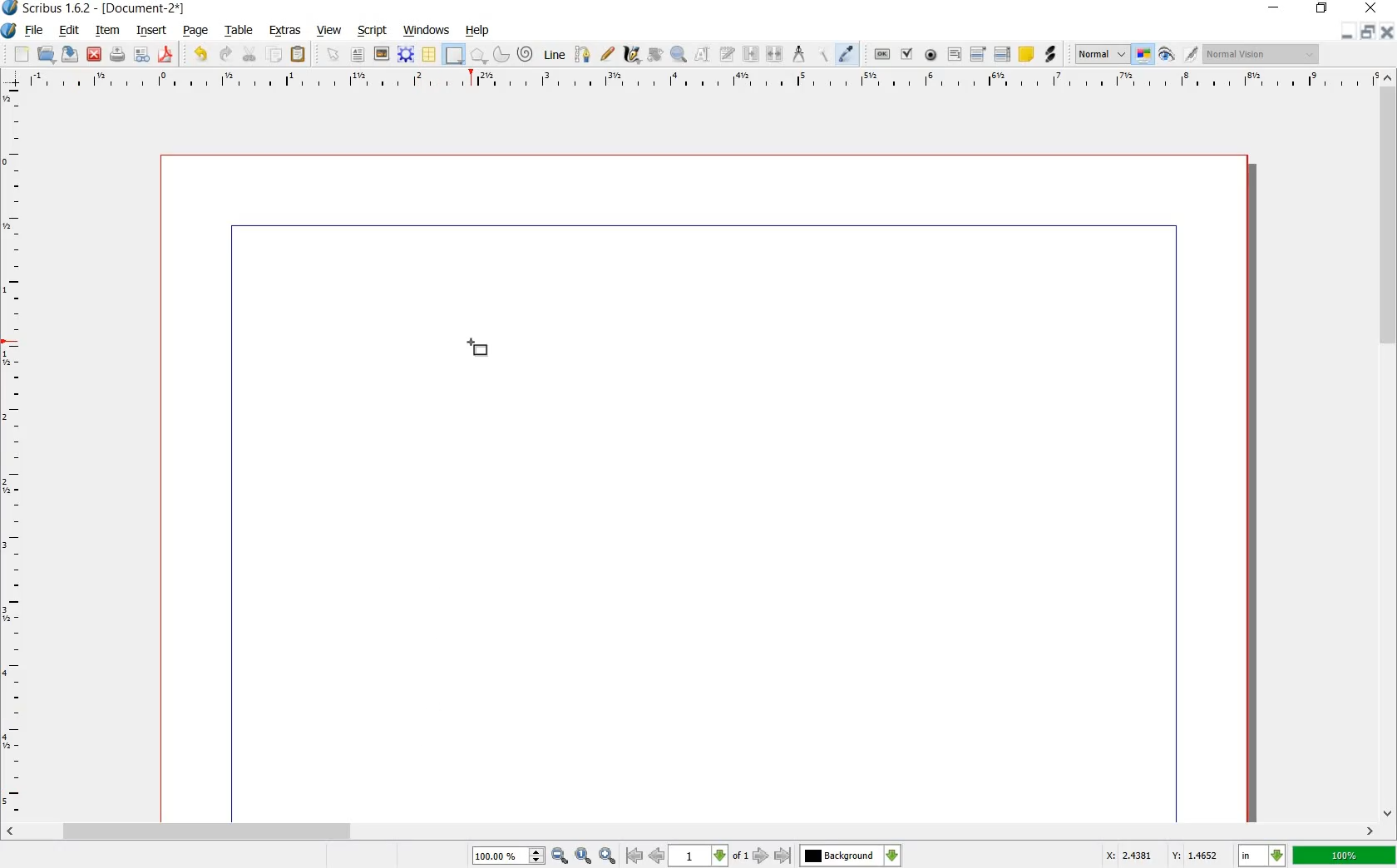  I want to click on POLYGON, so click(479, 57).